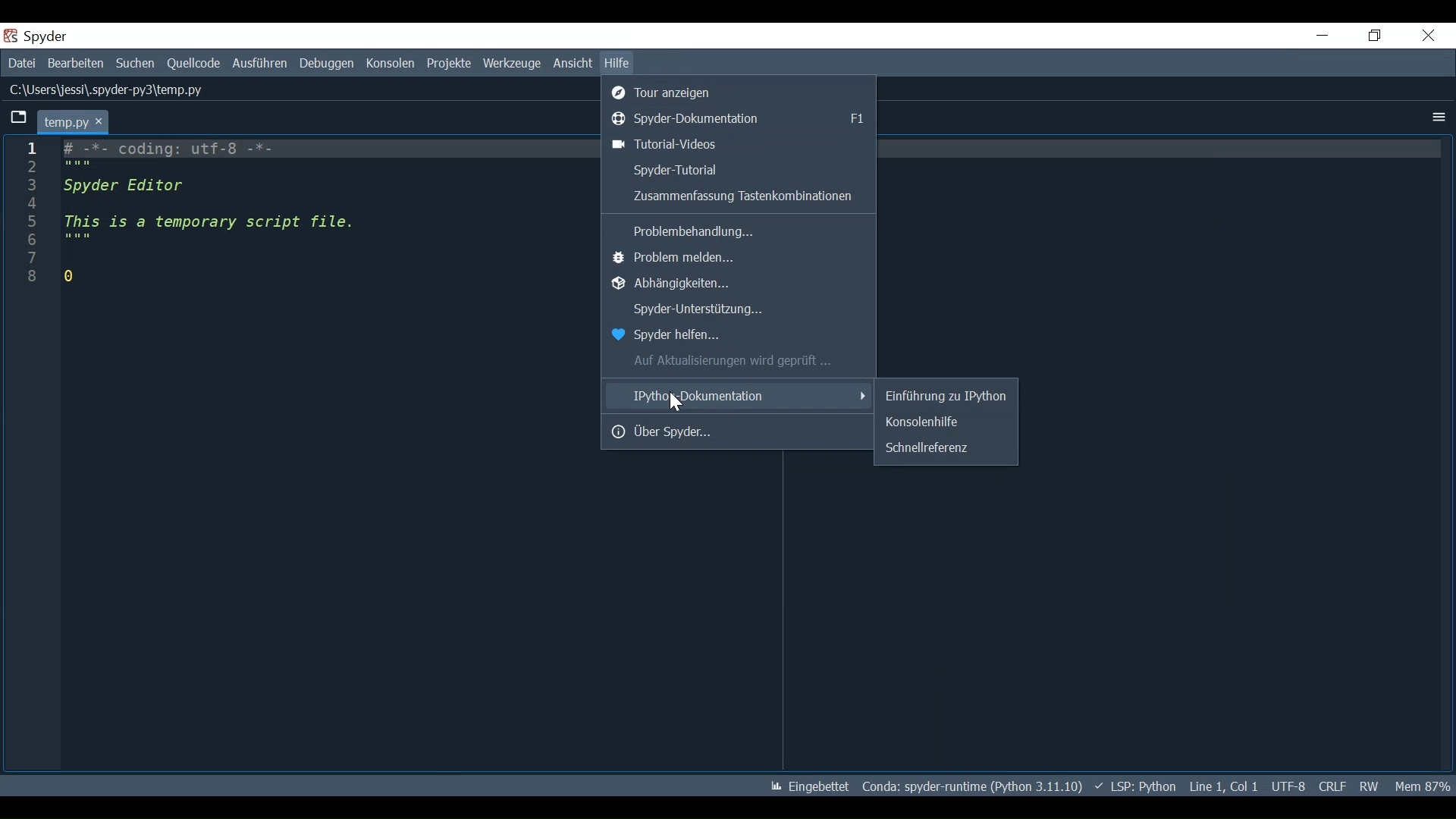 Image resolution: width=1456 pixels, height=819 pixels. I want to click on Edit, so click(74, 64).